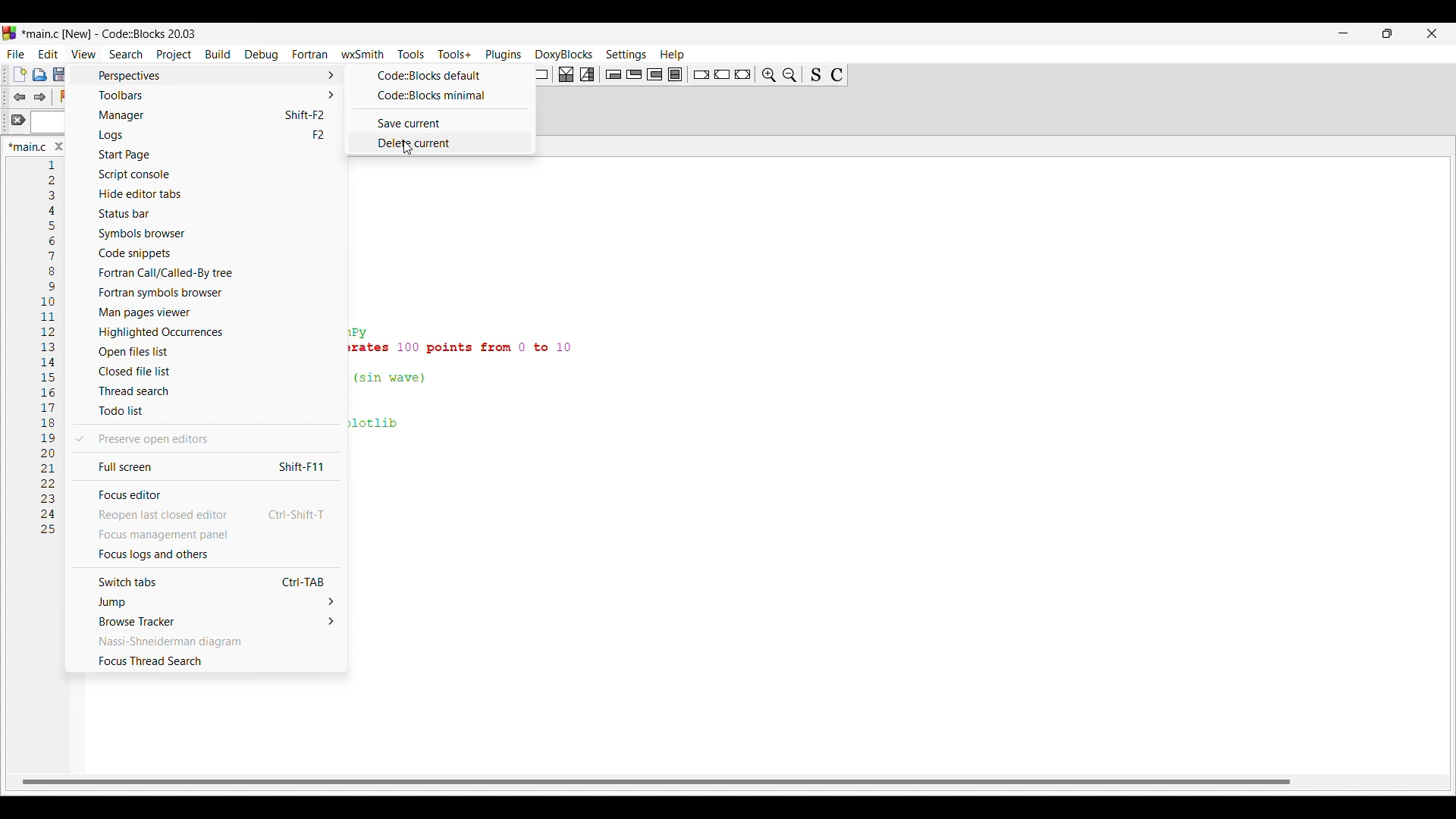 This screenshot has height=819, width=1456. I want to click on Code snippets, so click(209, 253).